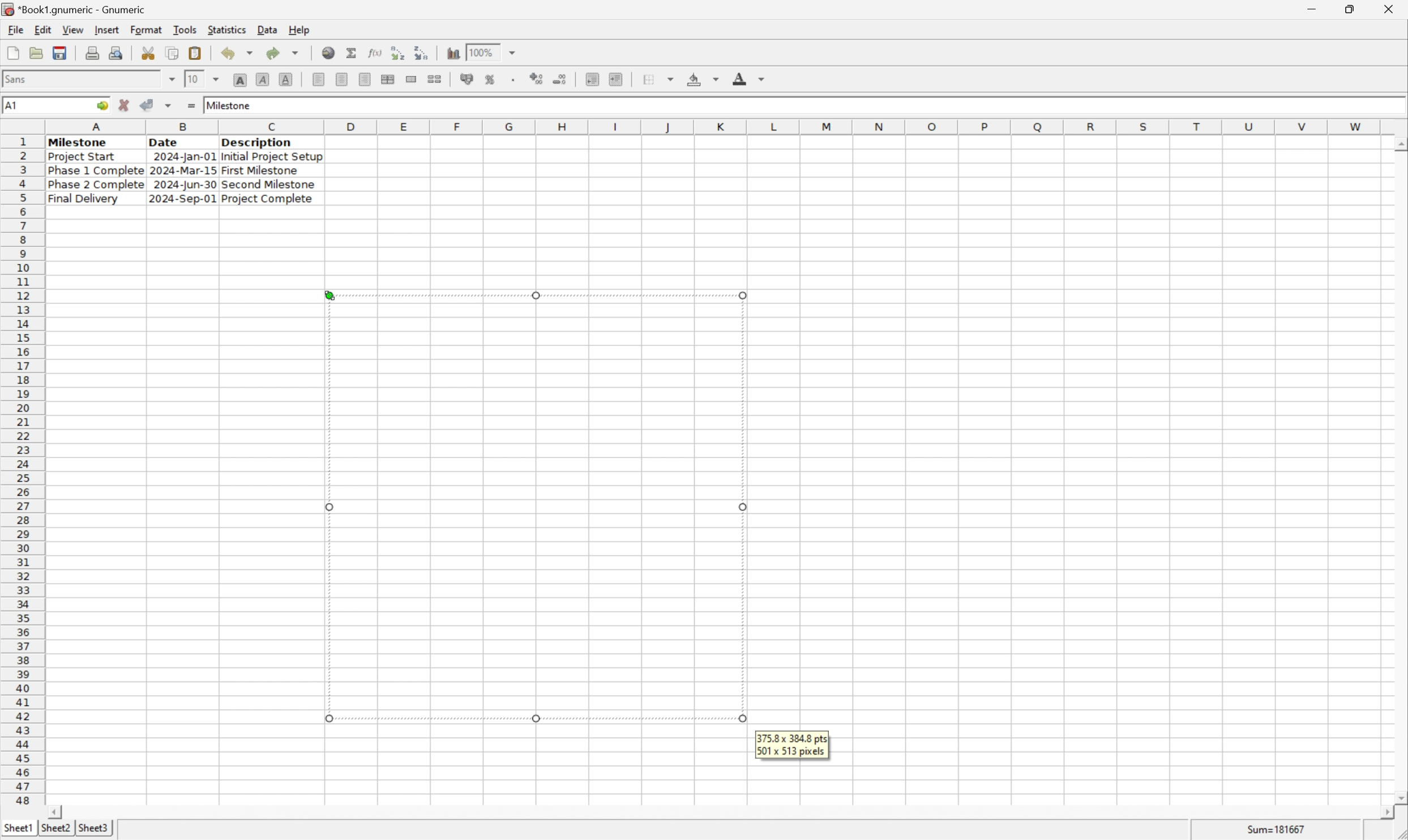  I want to click on view, so click(72, 30).